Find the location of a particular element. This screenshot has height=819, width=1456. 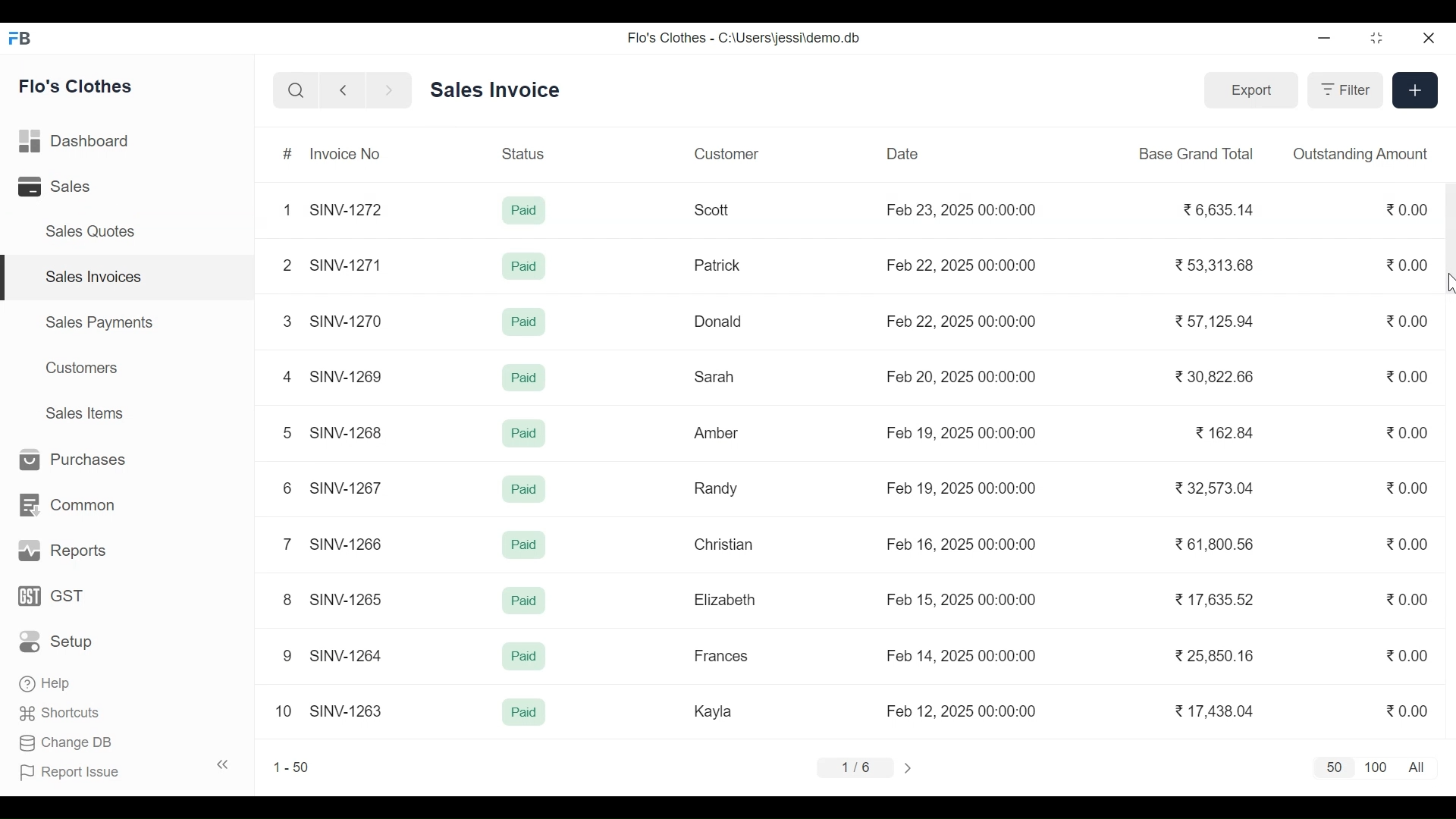

# is located at coordinates (289, 155).